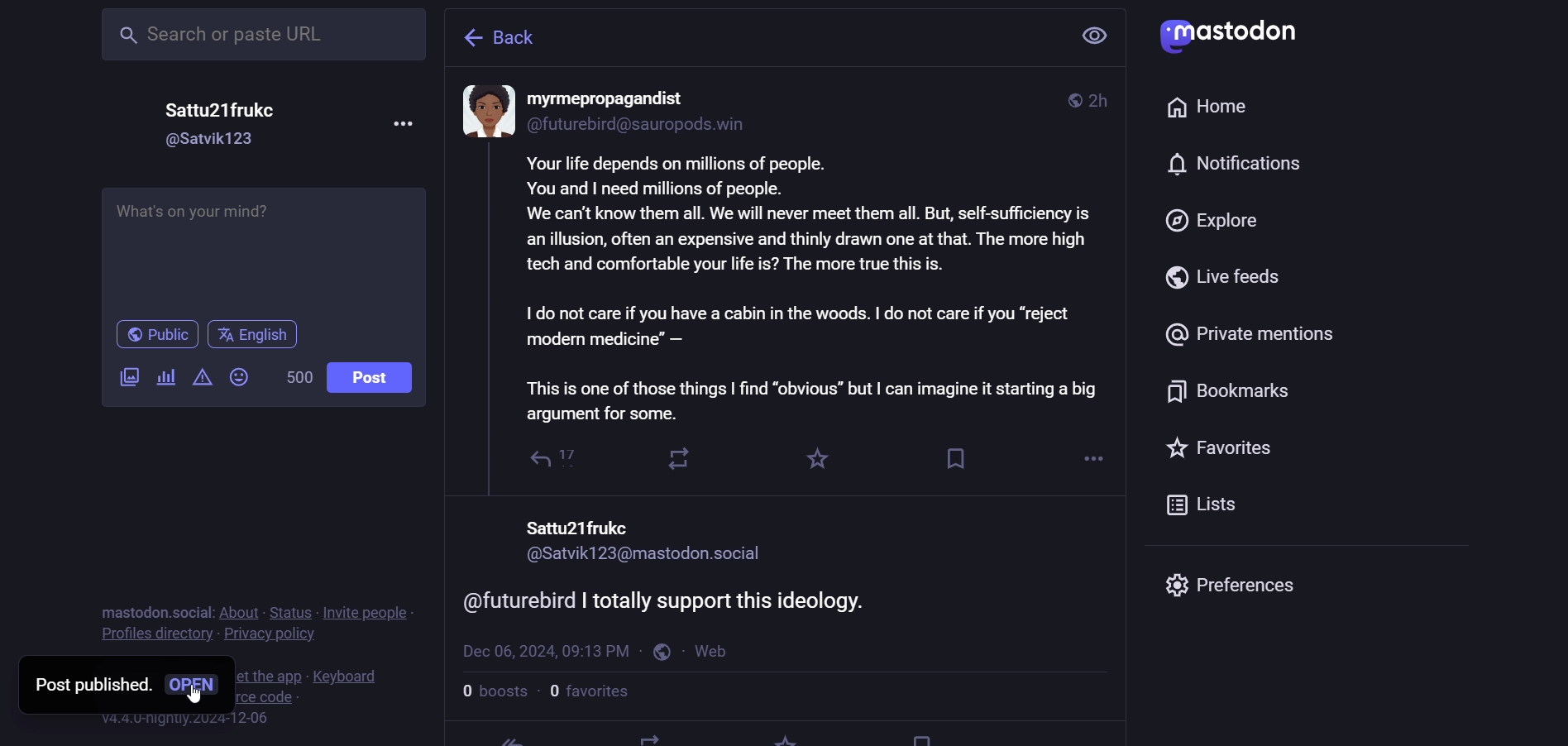  What do you see at coordinates (485, 112) in the screenshot?
I see `display picture` at bounding box center [485, 112].